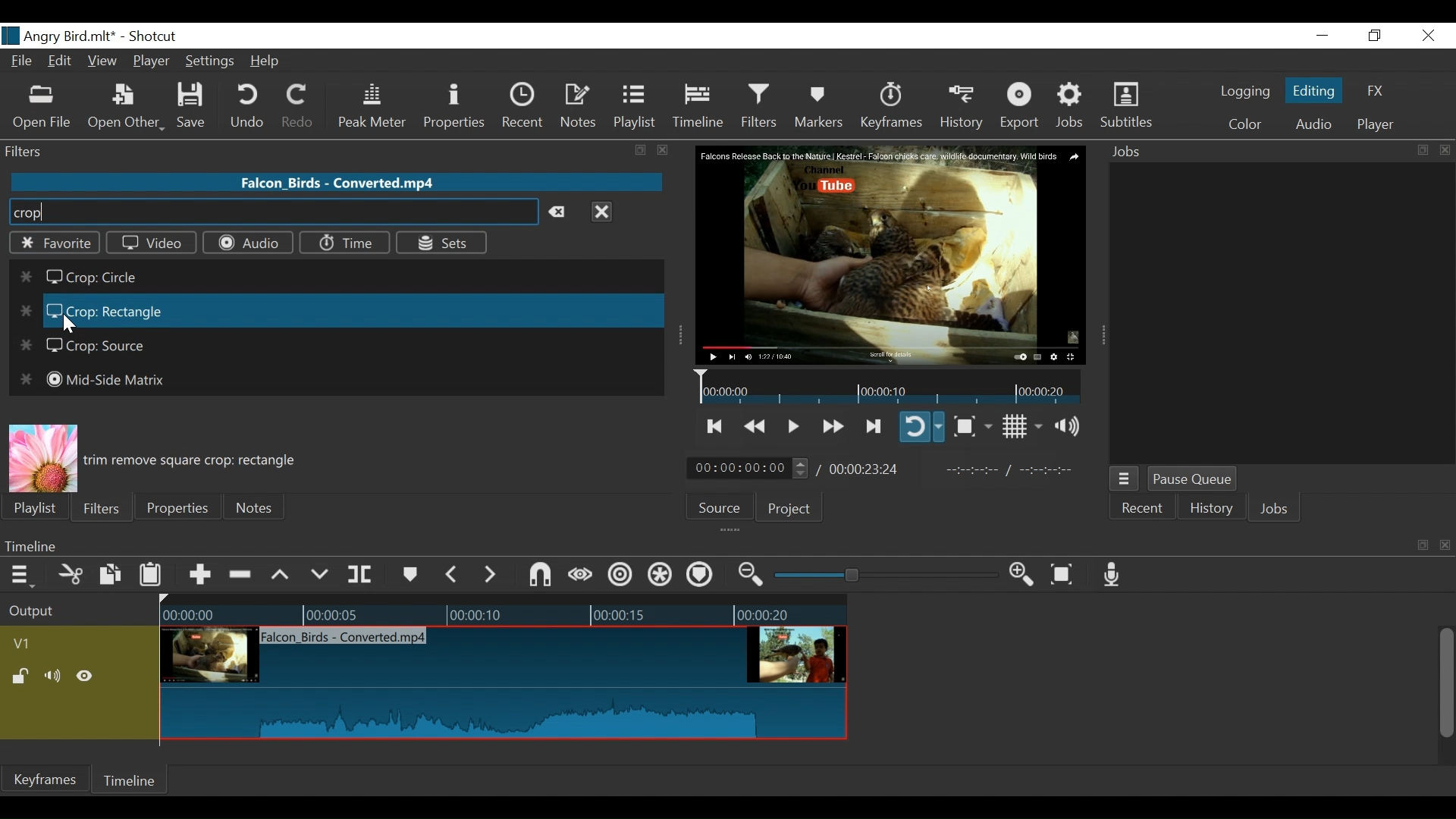 This screenshot has width=1456, height=819. I want to click on Undo, so click(249, 106).